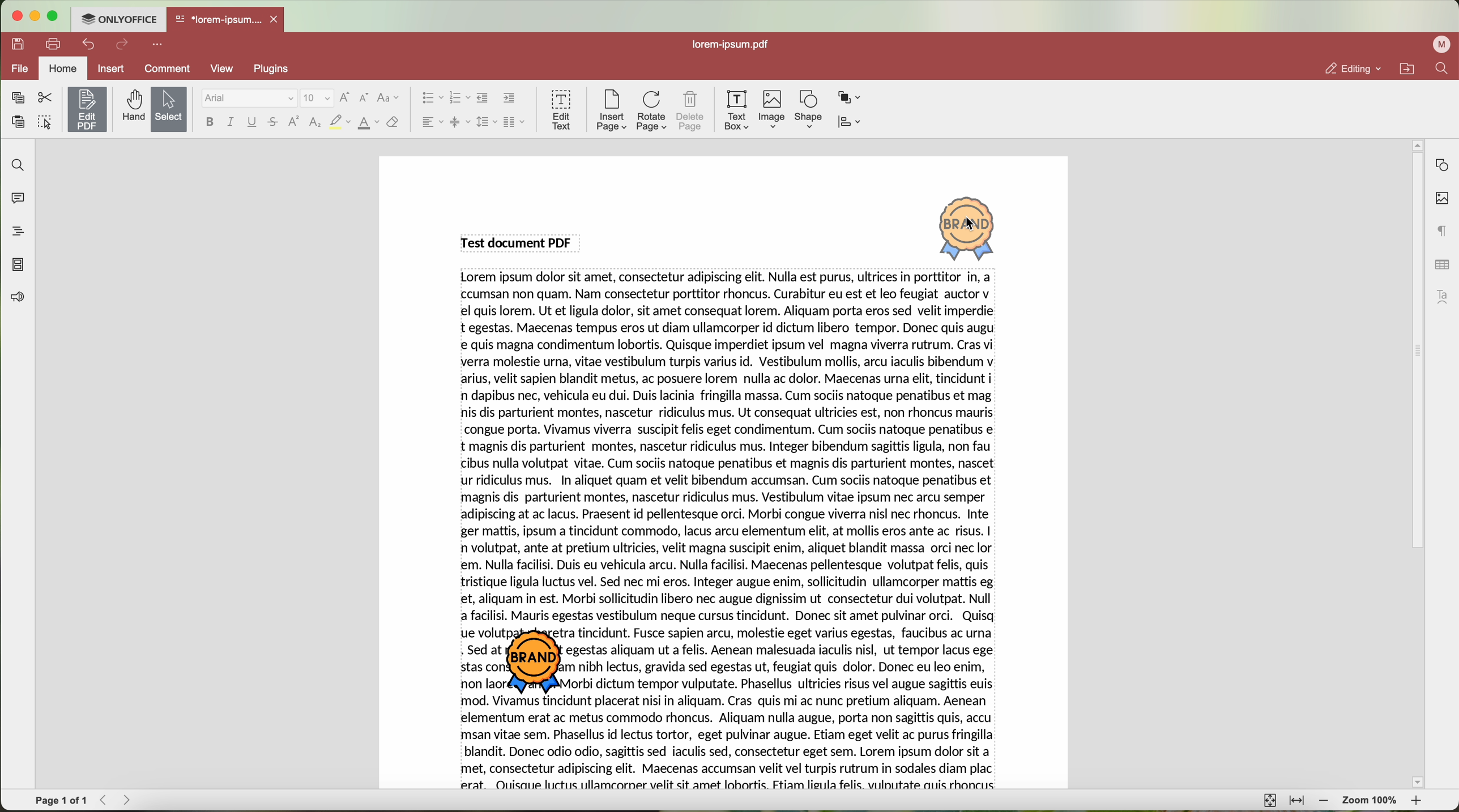  I want to click on fit to page, so click(1268, 800).